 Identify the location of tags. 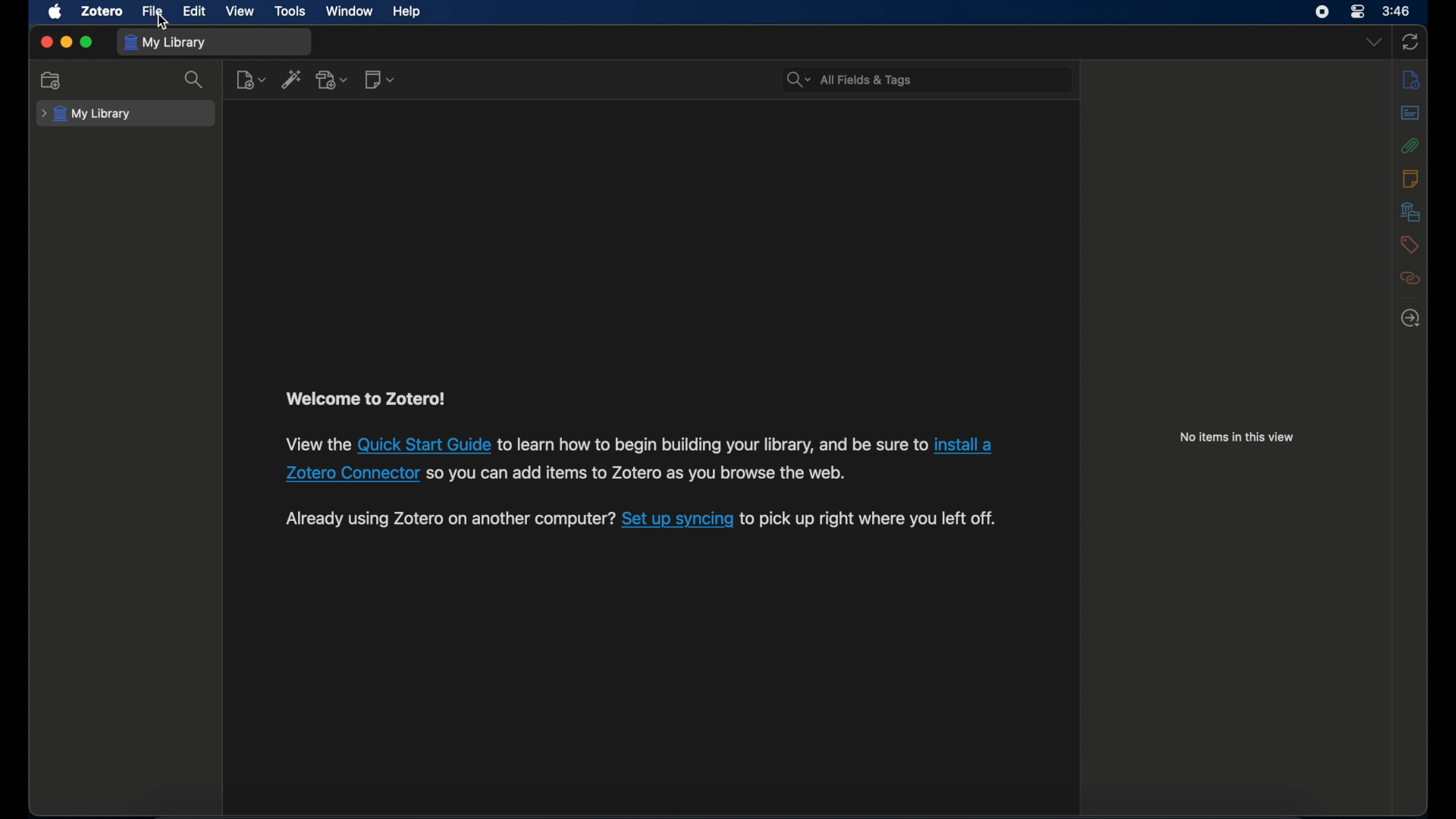
(1410, 245).